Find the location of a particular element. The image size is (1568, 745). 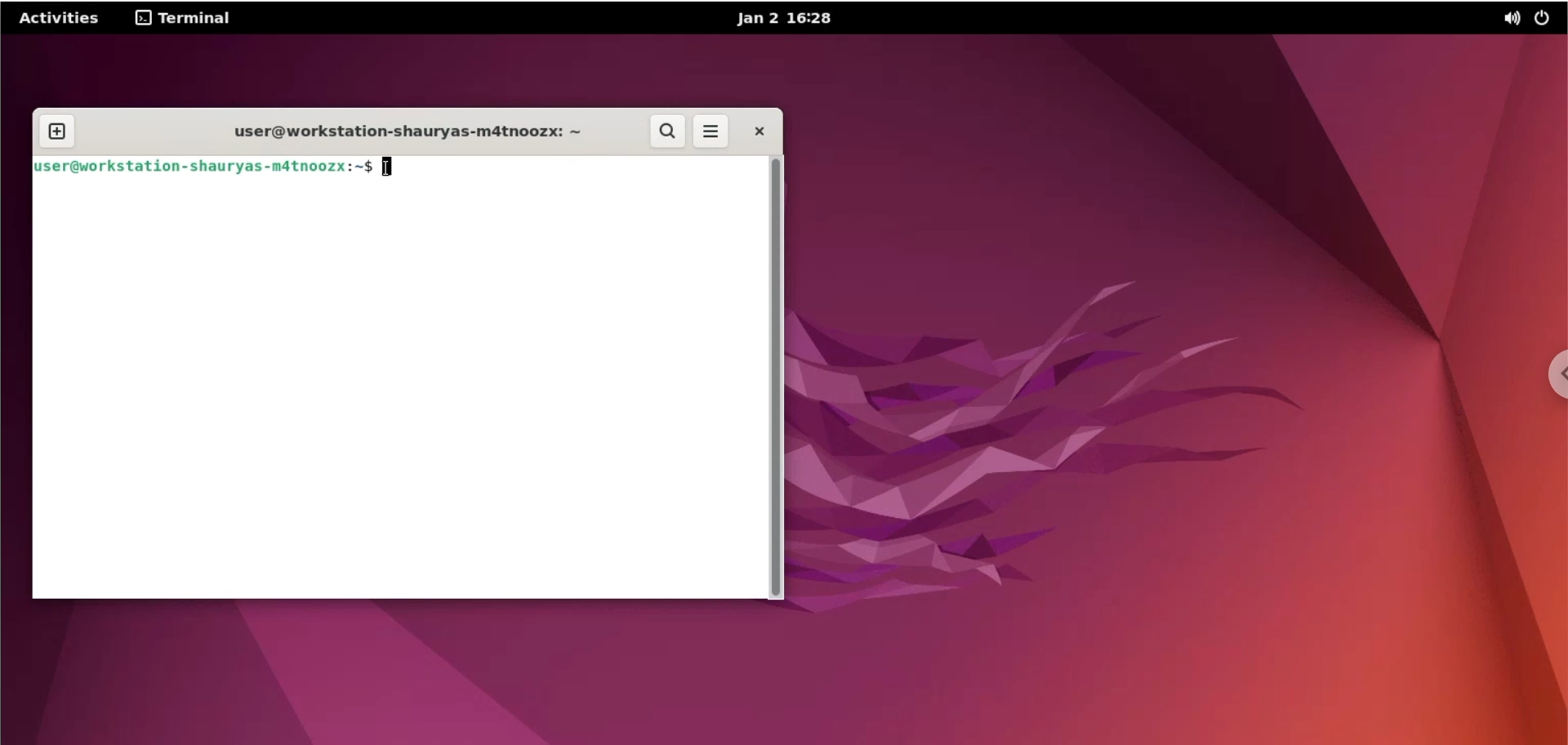

more options is located at coordinates (709, 132).